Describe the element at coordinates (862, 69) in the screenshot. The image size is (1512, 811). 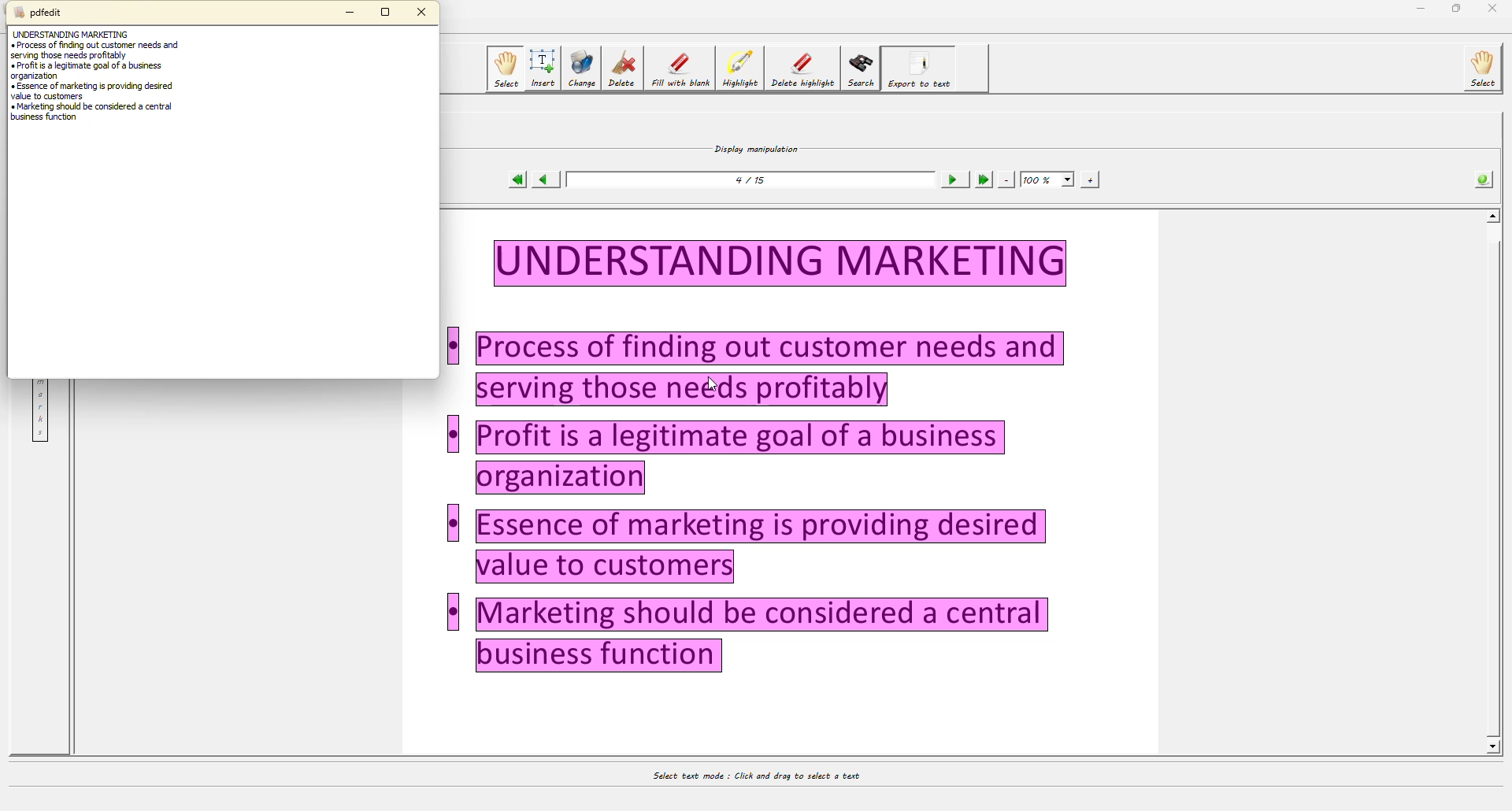
I see `search` at that location.